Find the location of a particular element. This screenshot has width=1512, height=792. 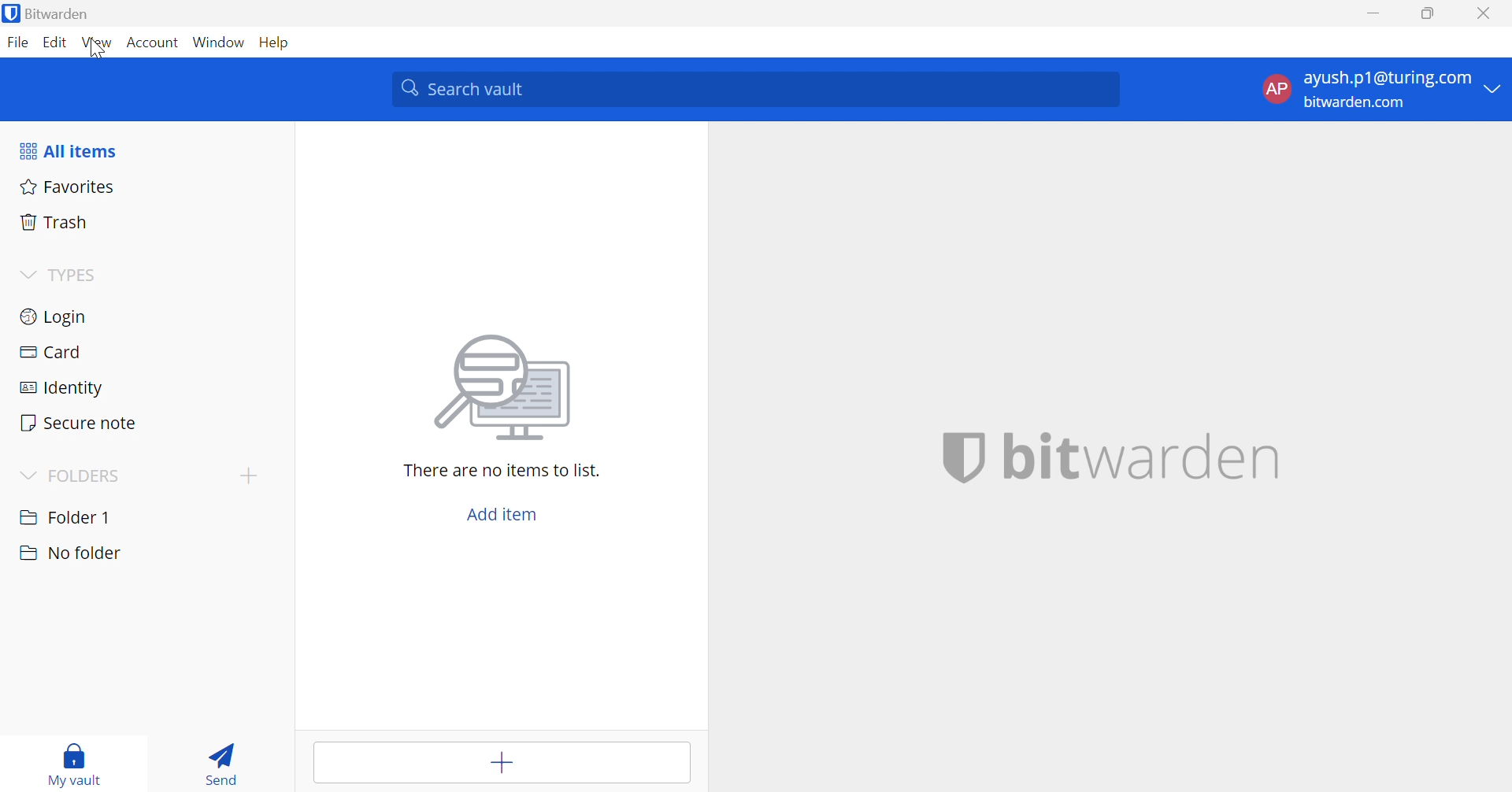

Card is located at coordinates (50, 353).